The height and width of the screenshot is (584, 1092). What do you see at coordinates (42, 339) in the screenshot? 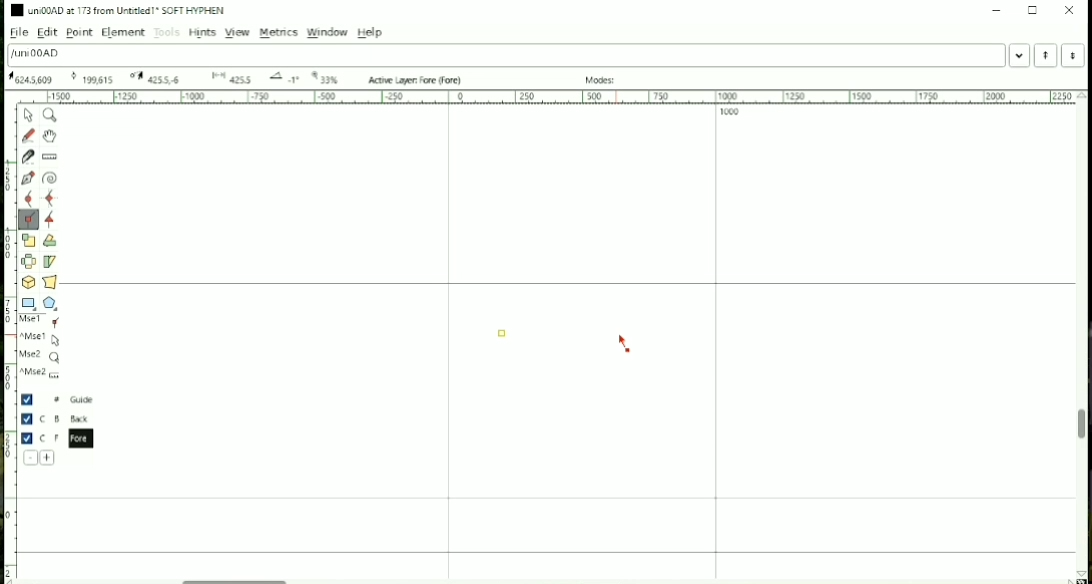
I see `^Mse1` at bounding box center [42, 339].